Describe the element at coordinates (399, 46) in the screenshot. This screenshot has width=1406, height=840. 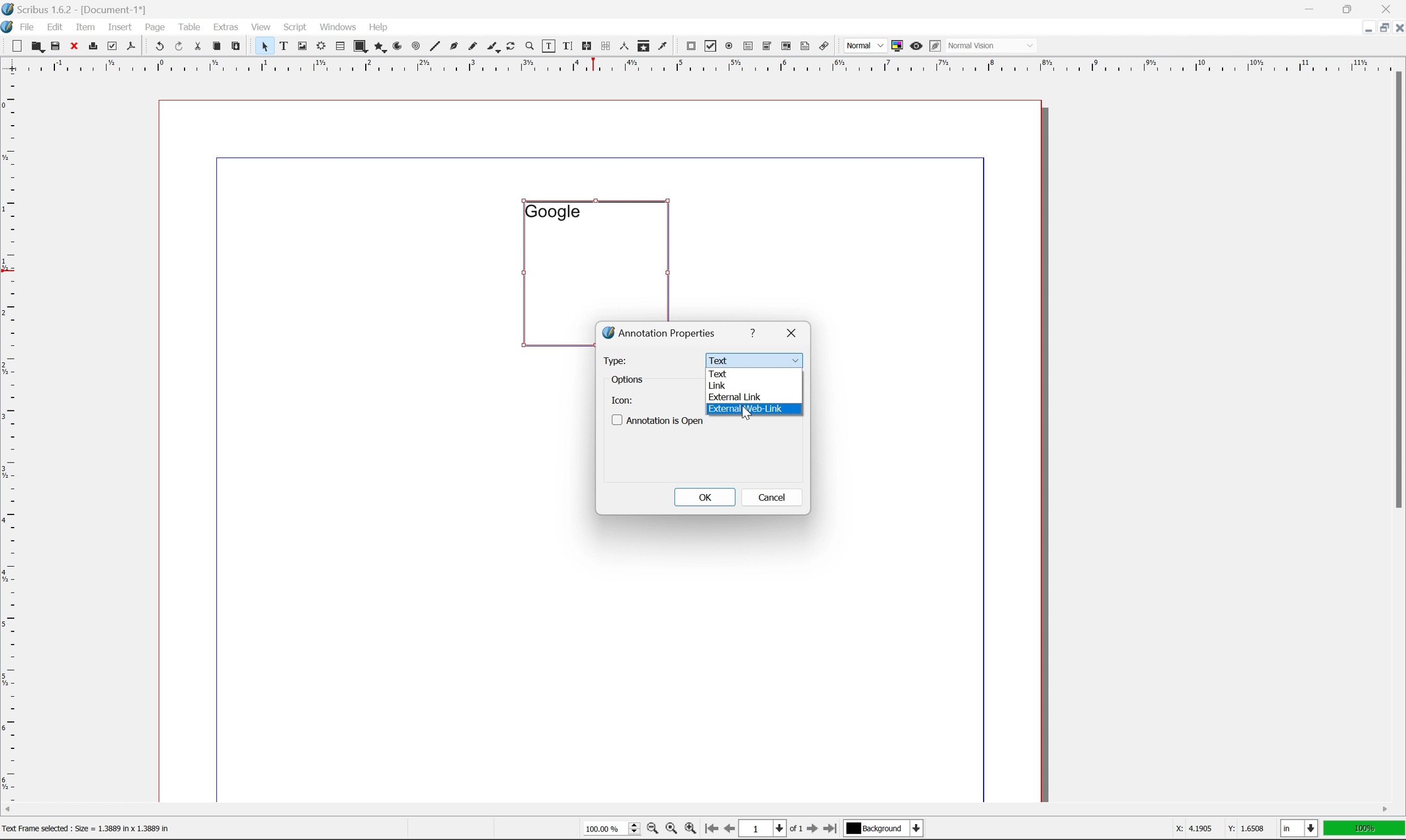
I see `arc` at that location.